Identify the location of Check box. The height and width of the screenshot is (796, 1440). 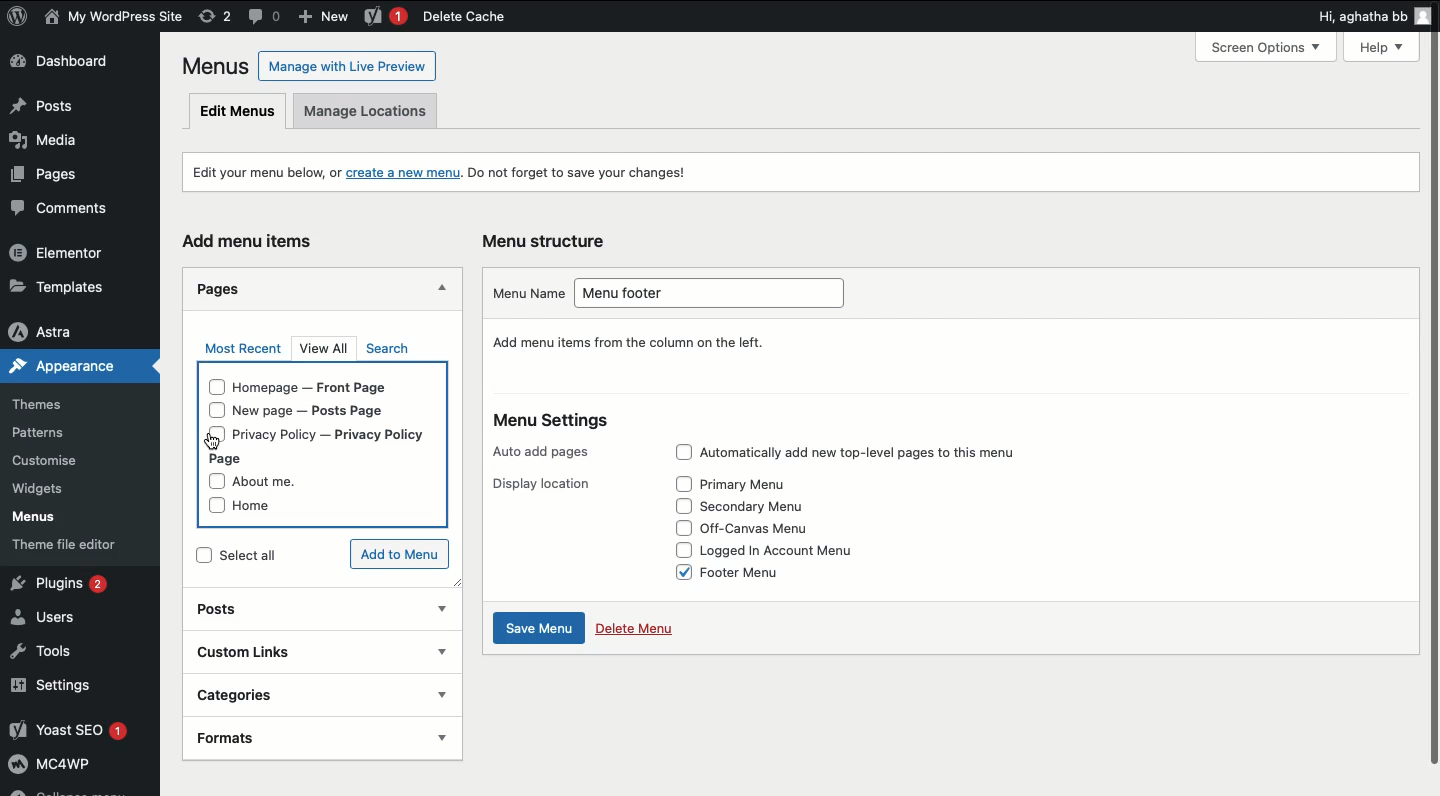
(682, 484).